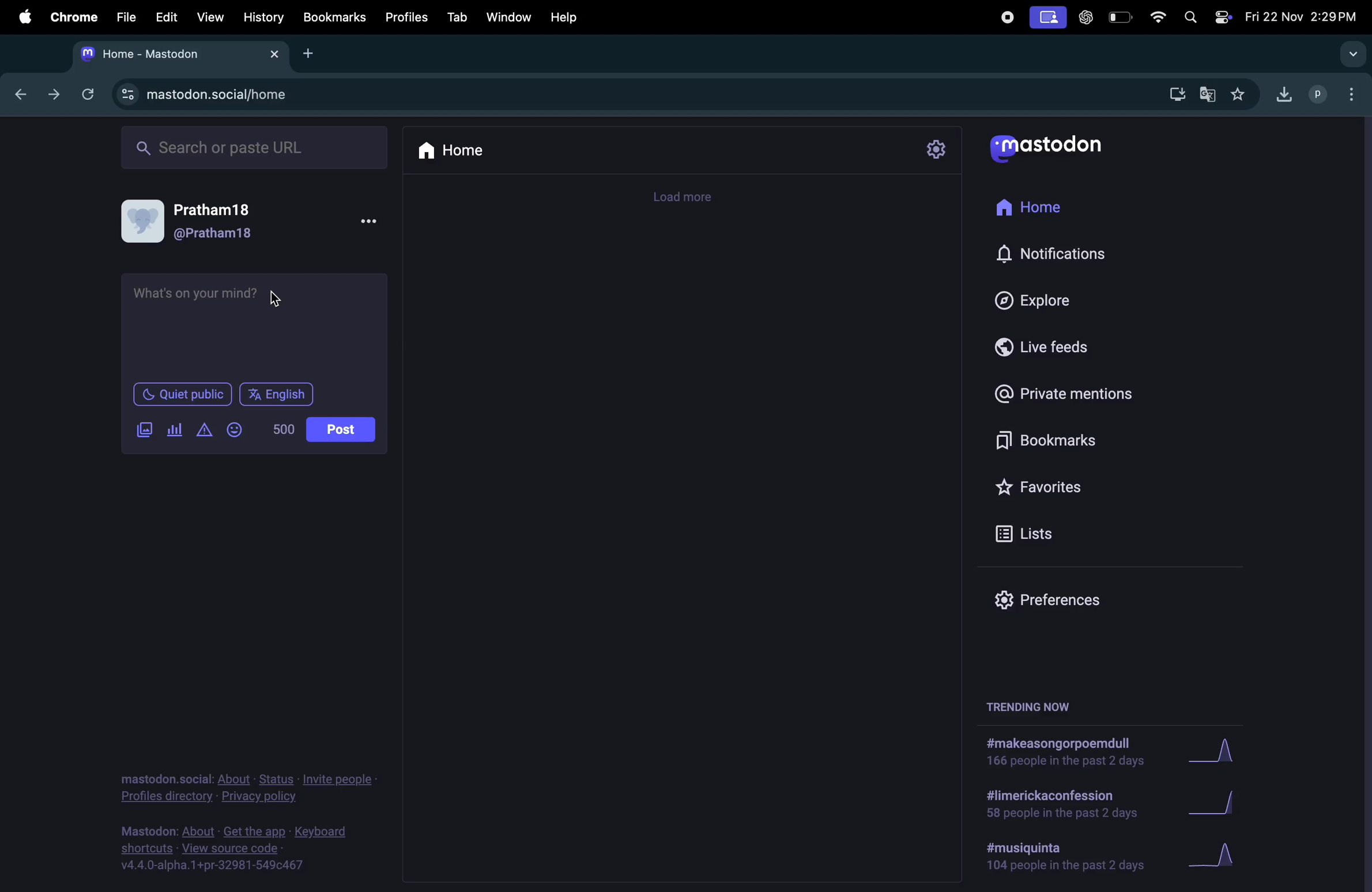  Describe the element at coordinates (1055, 600) in the screenshot. I see `preferences` at that location.